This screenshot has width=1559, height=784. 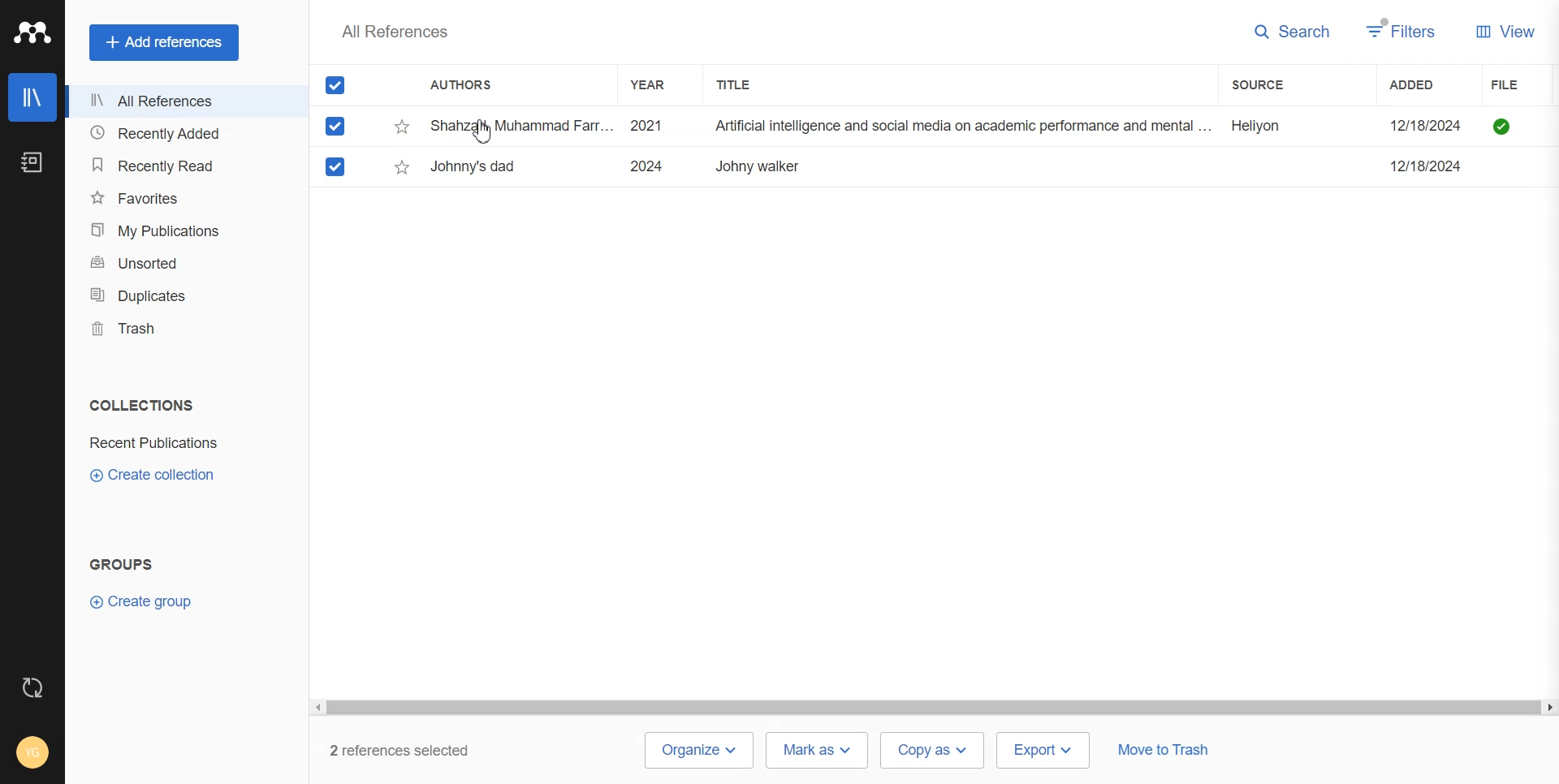 What do you see at coordinates (1502, 127) in the screenshot?
I see `file available` at bounding box center [1502, 127].